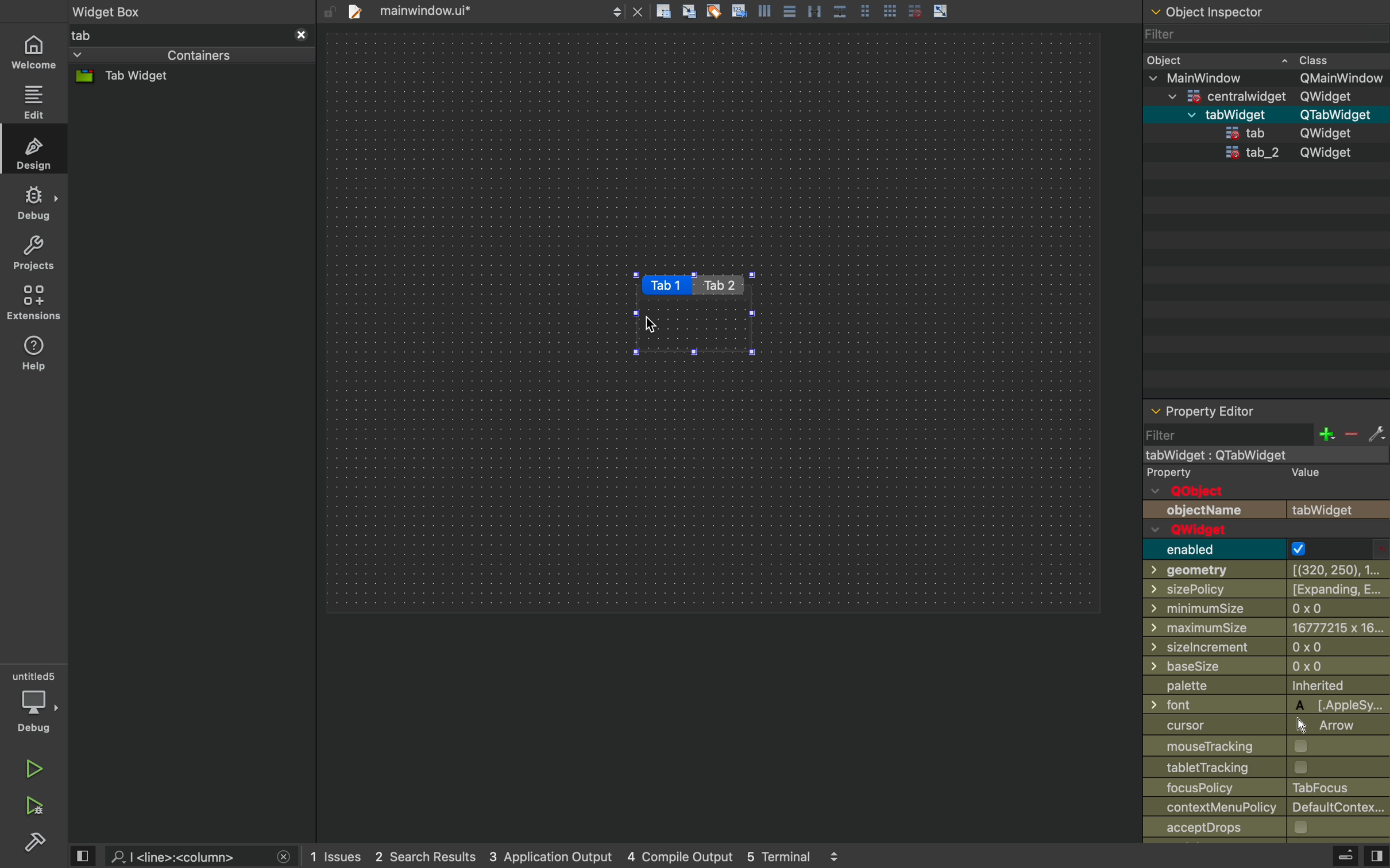 This screenshot has height=868, width=1390. I want to click on tab, so click(465, 10).